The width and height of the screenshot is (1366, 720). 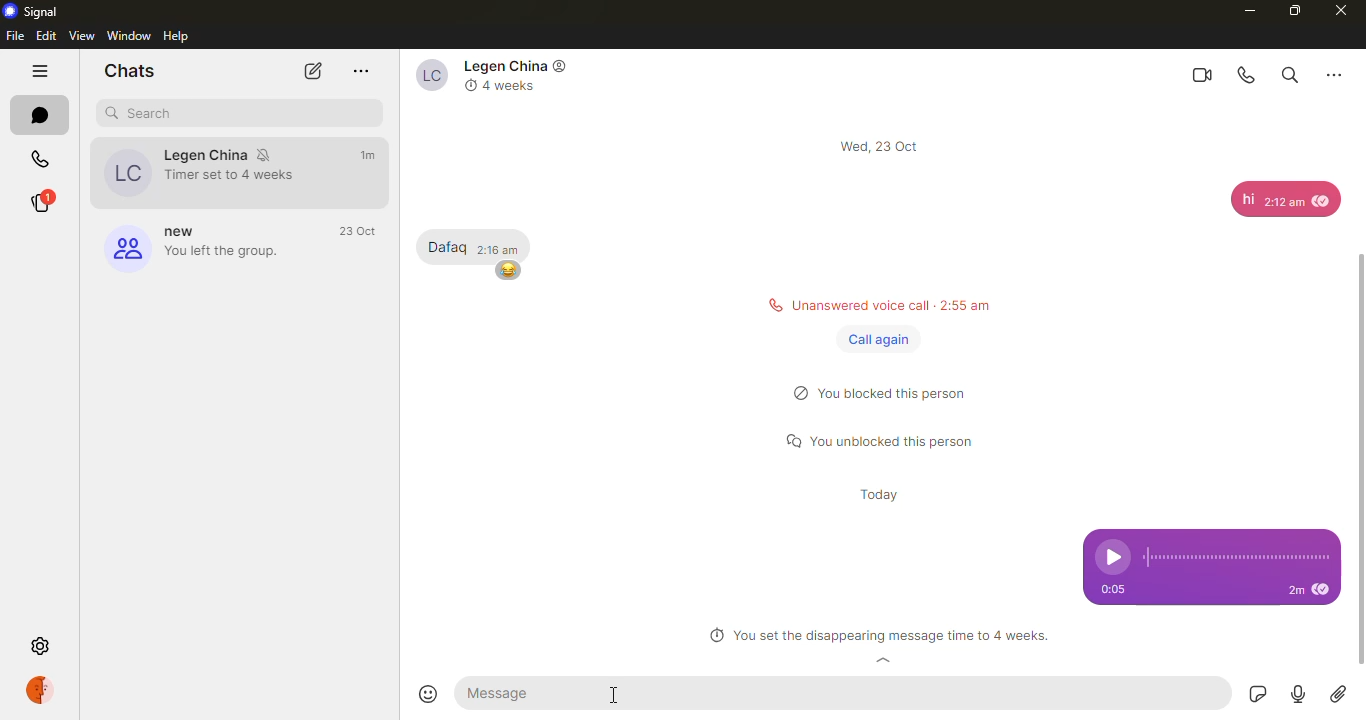 What do you see at coordinates (1342, 11) in the screenshot?
I see `close` at bounding box center [1342, 11].